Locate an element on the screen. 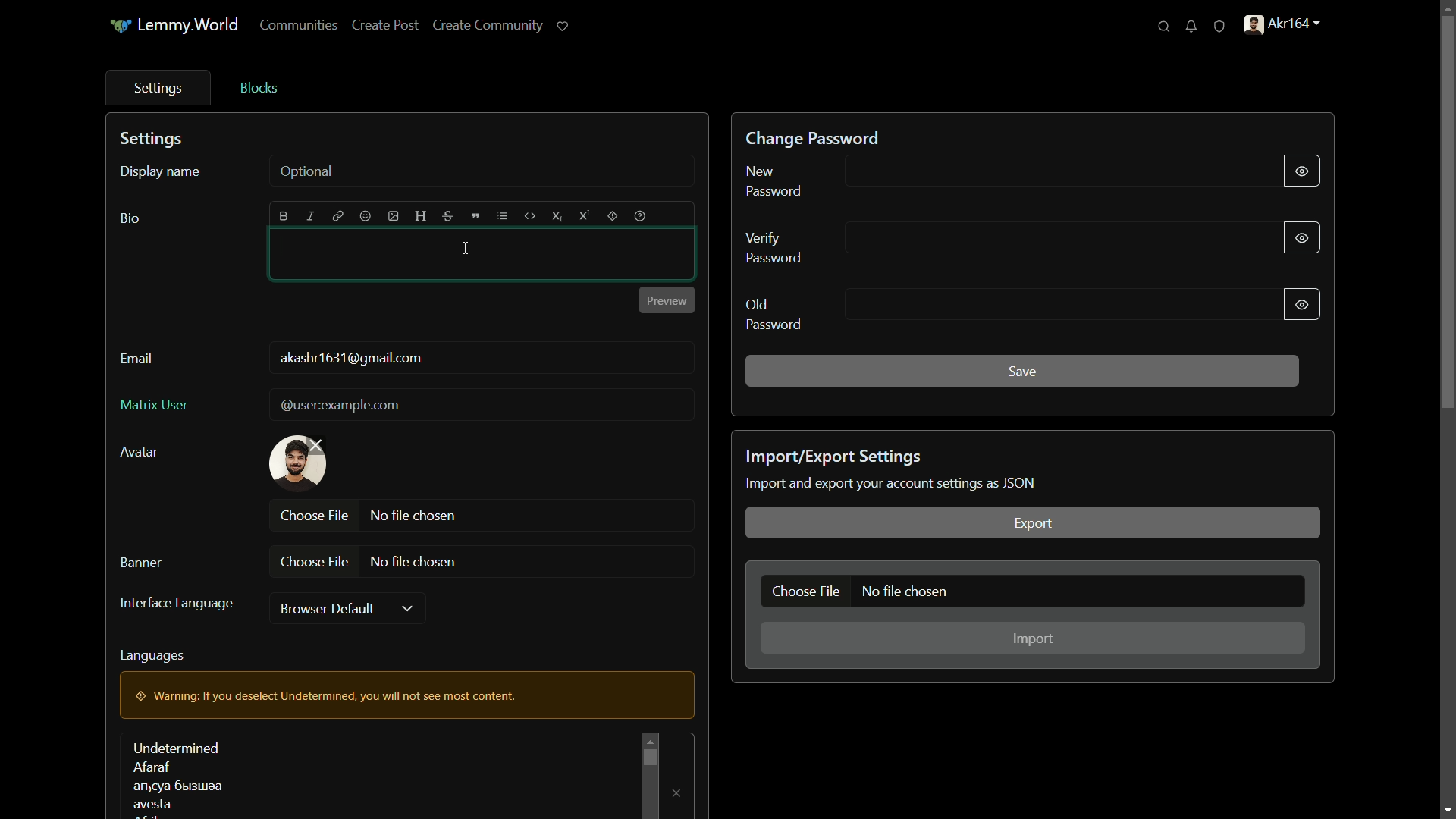  settings is located at coordinates (154, 140).